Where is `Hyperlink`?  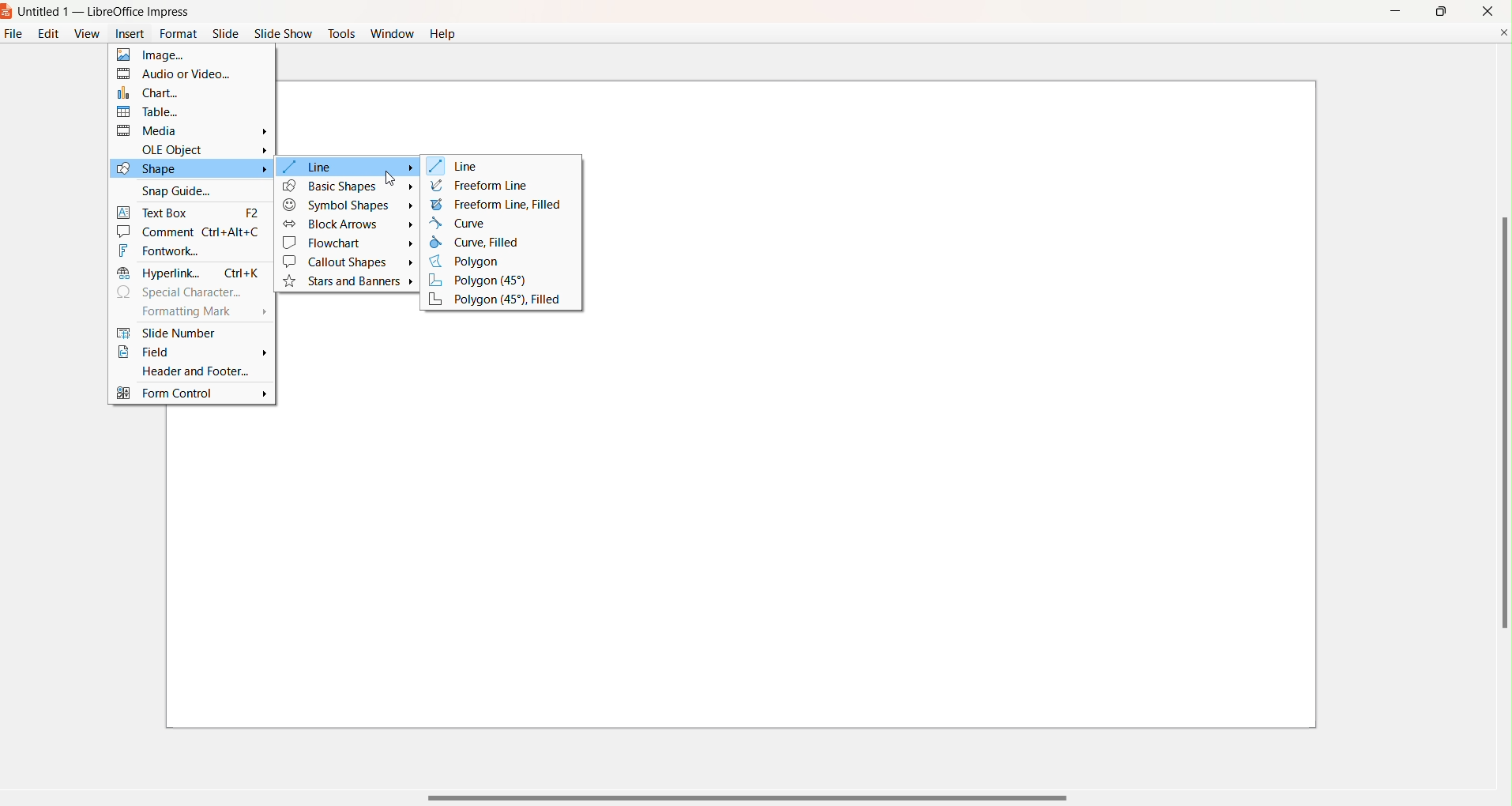
Hyperlink is located at coordinates (190, 273).